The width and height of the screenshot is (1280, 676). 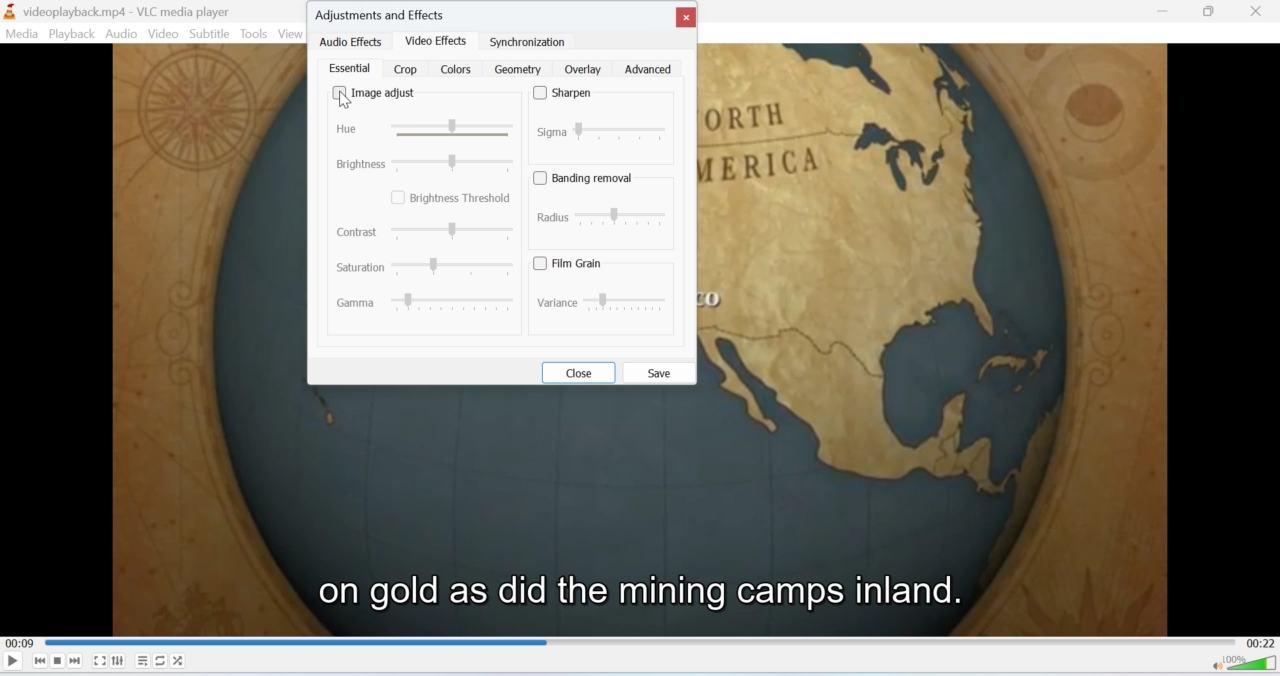 I want to click on synchronization, so click(x=529, y=42).